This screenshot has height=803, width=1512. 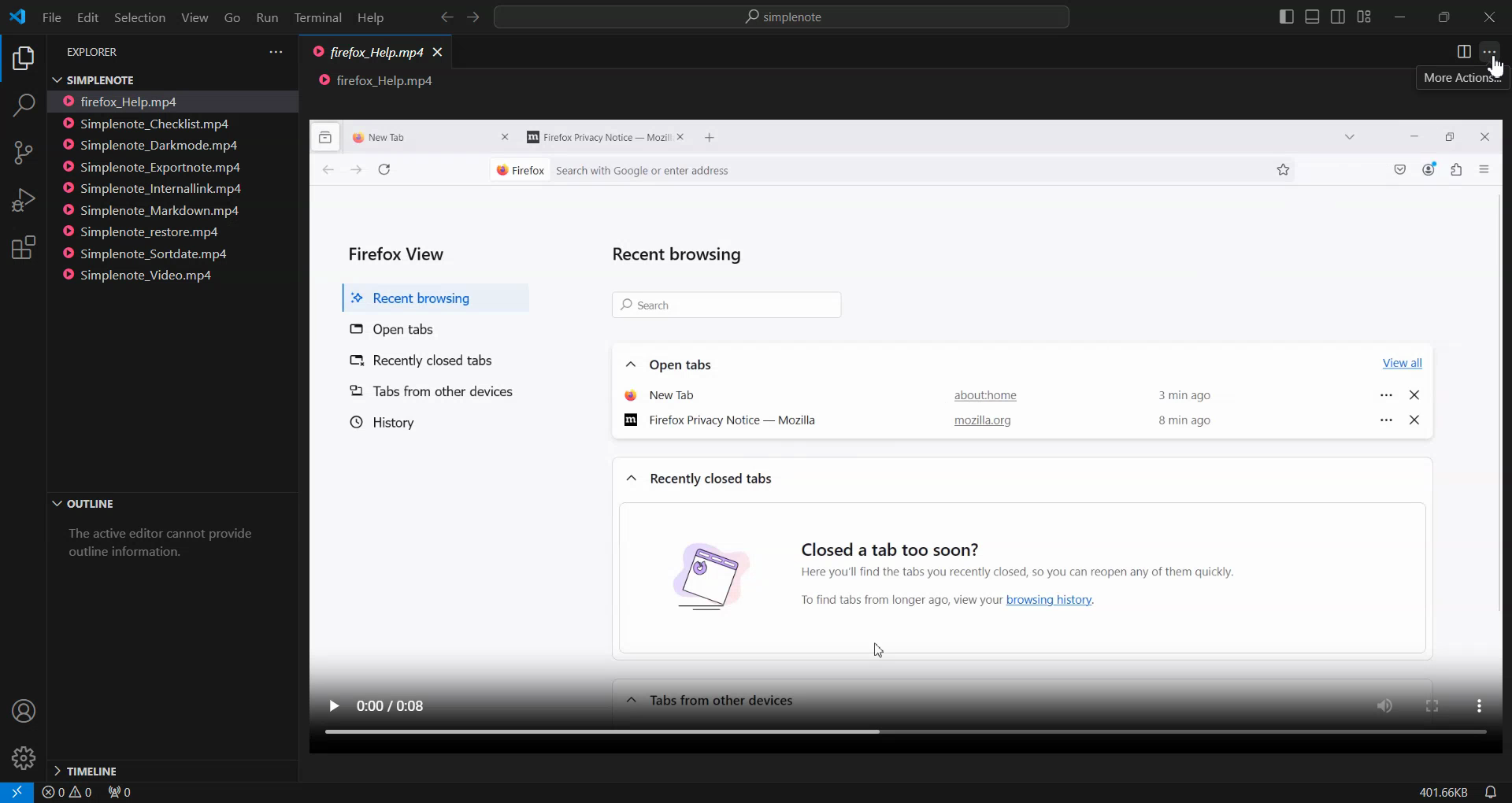 I want to click on minimize, so click(x=1414, y=136).